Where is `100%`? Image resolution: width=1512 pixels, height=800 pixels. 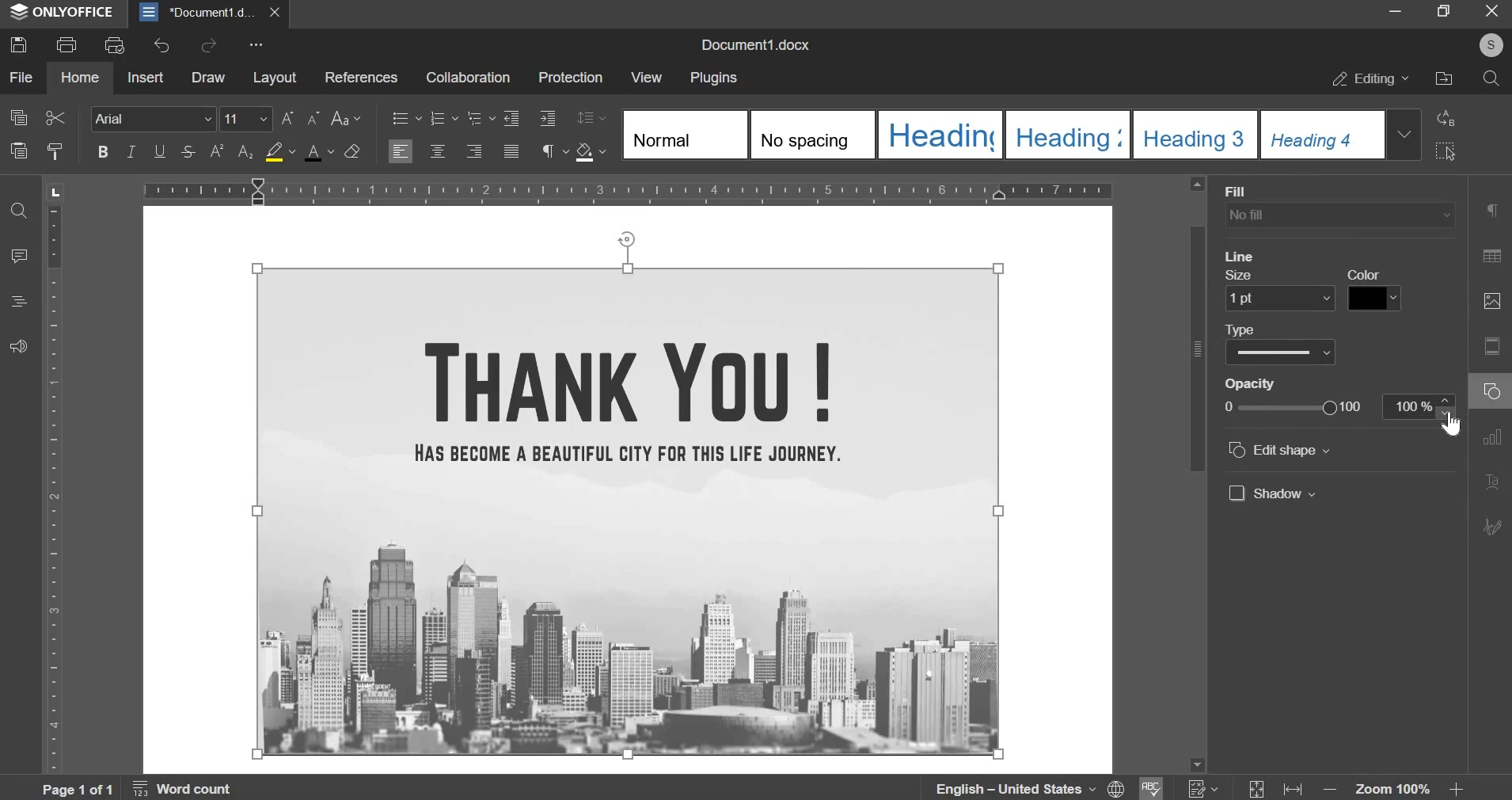 100% is located at coordinates (1415, 405).